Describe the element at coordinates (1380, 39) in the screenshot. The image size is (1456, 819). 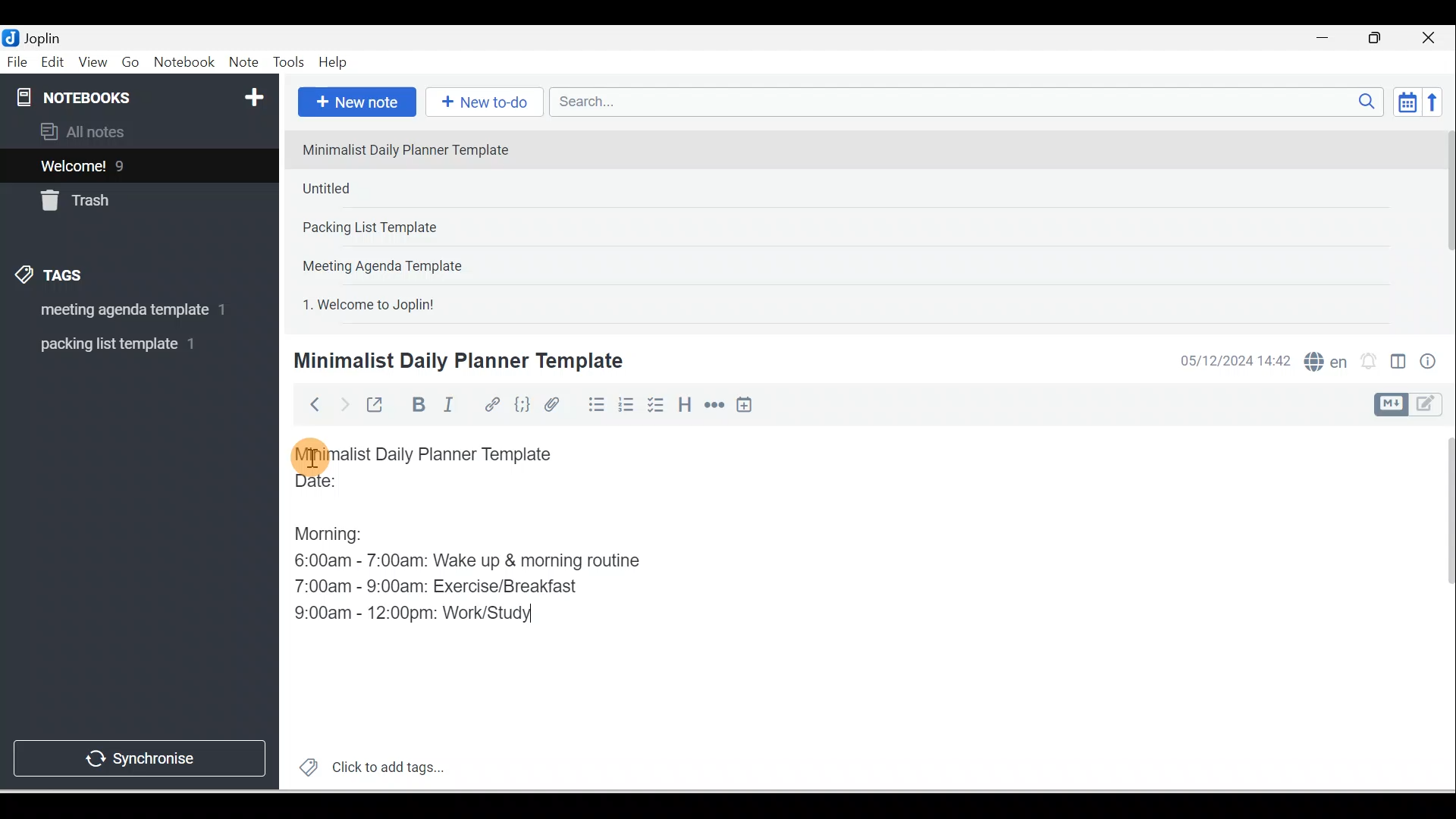
I see `Maximise` at that location.